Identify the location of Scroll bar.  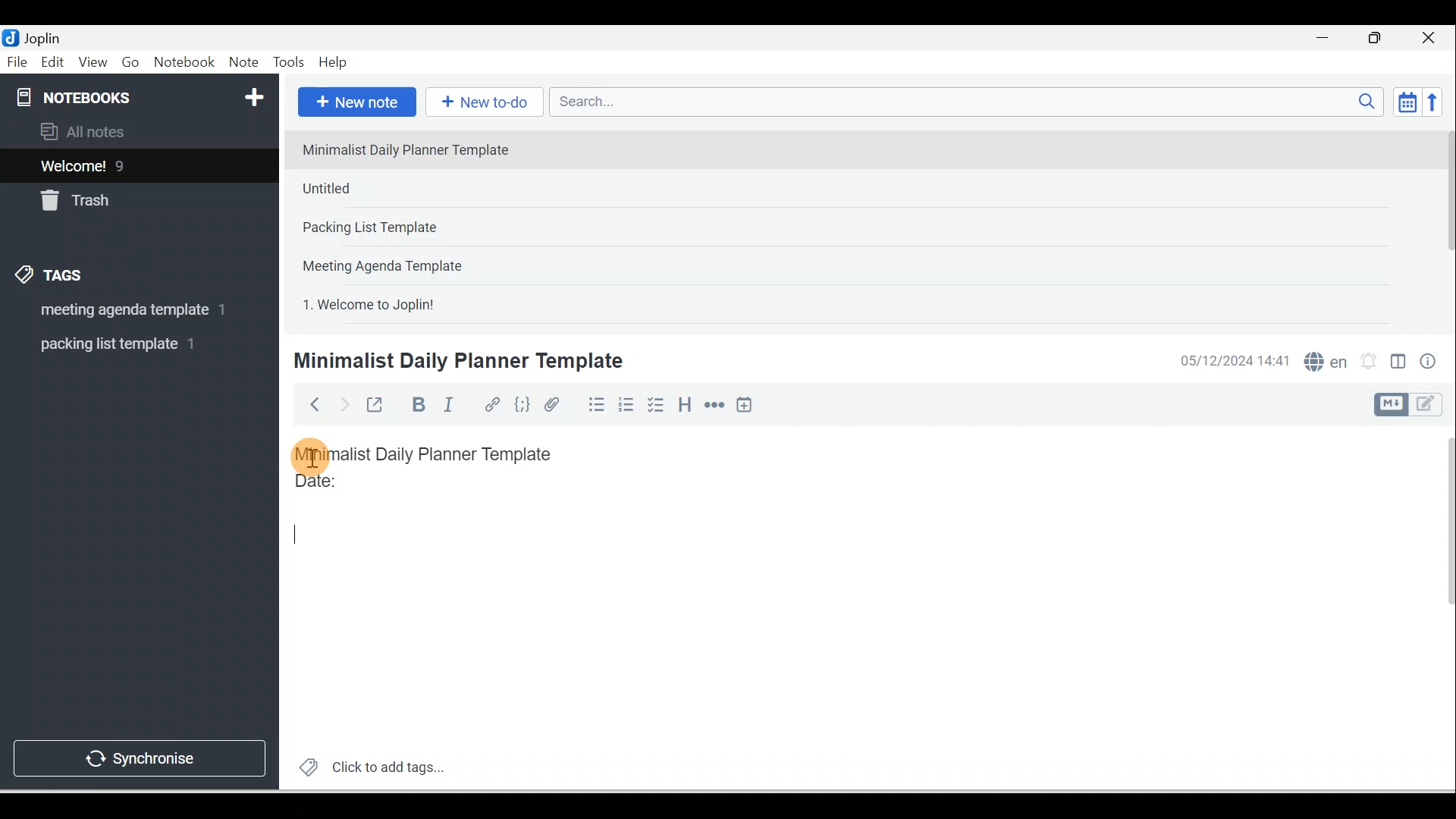
(1439, 608).